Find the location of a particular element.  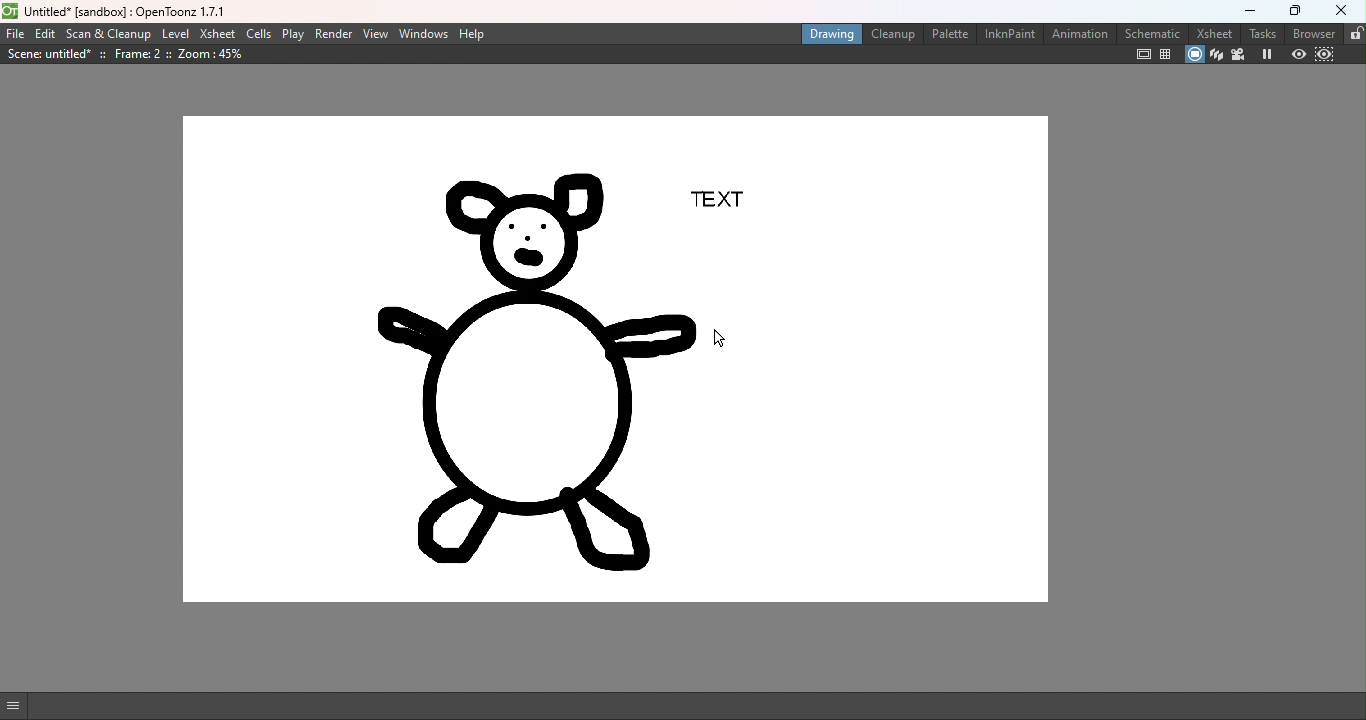

Safe area is located at coordinates (1142, 54).